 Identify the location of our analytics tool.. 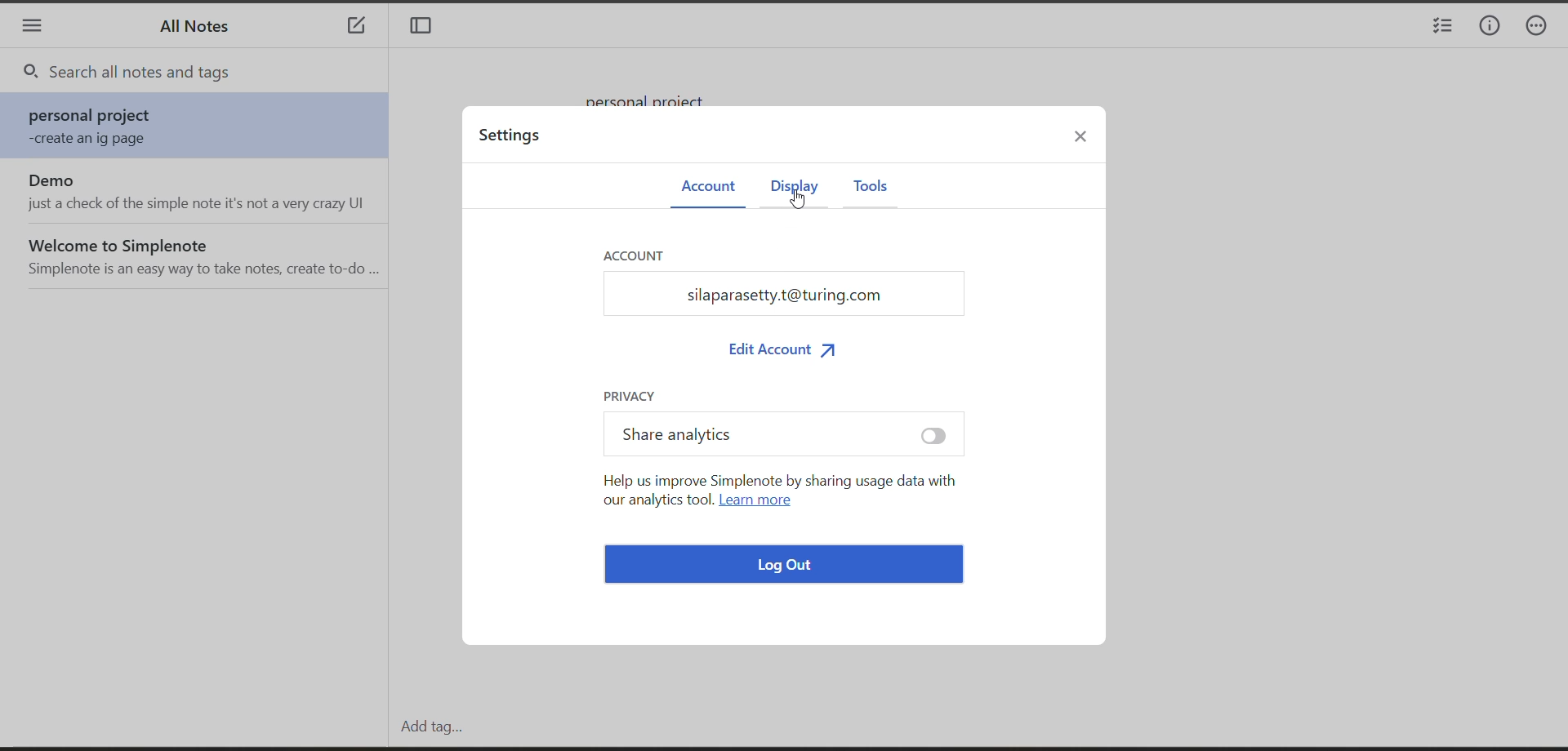
(654, 500).